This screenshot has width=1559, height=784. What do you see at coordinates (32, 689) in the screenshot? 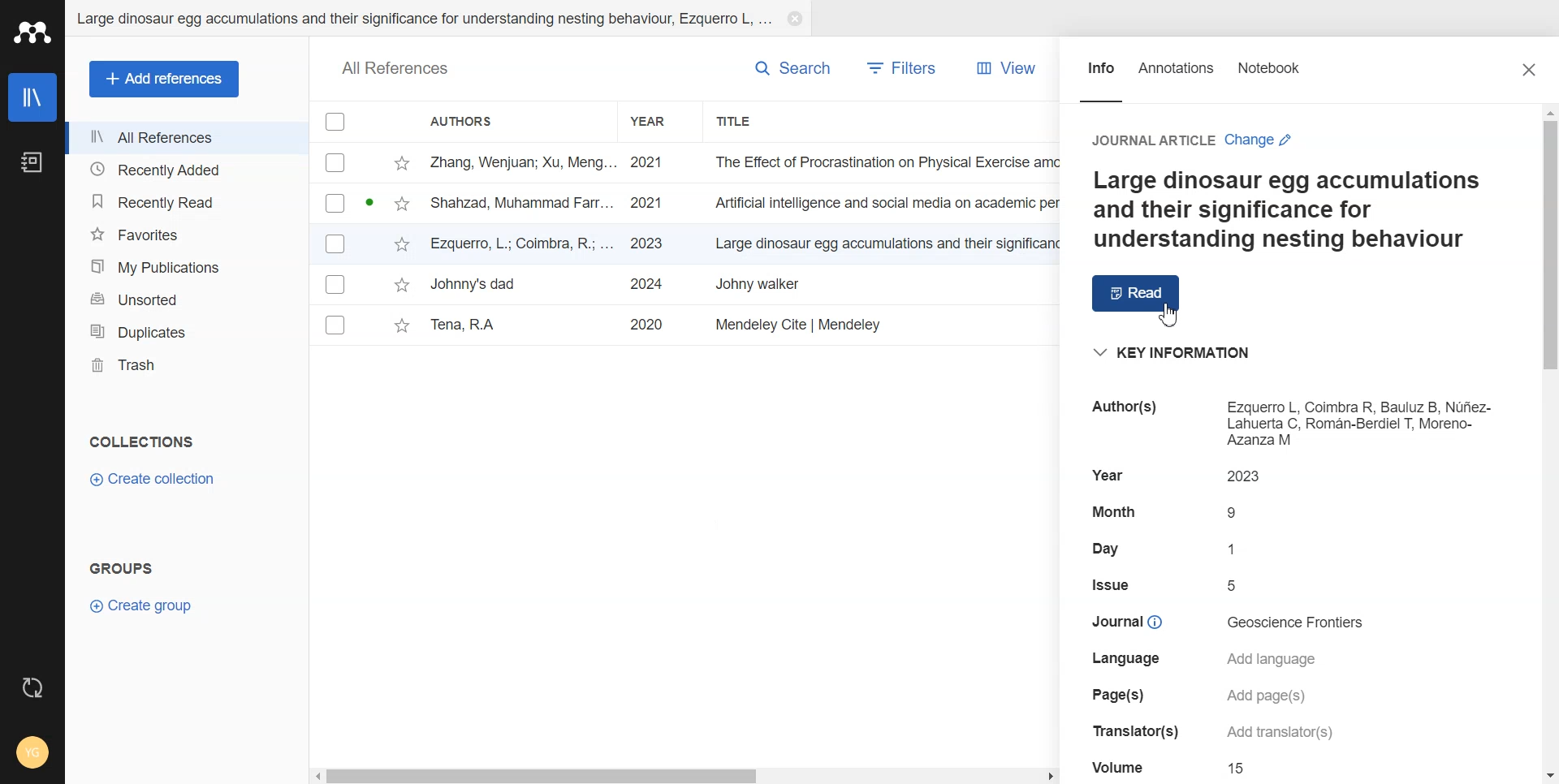
I see `Auto sync` at bounding box center [32, 689].